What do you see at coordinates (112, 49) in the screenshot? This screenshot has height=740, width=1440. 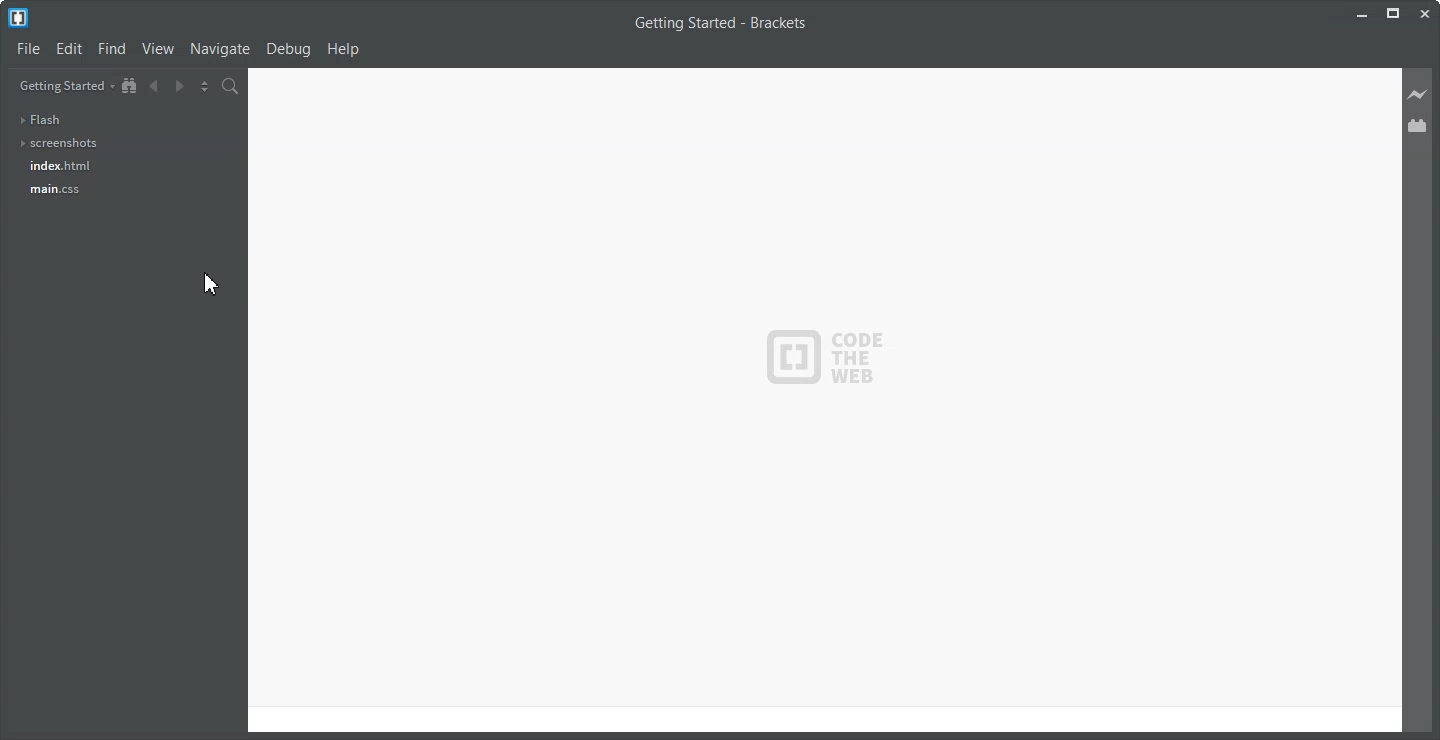 I see `Find` at bounding box center [112, 49].